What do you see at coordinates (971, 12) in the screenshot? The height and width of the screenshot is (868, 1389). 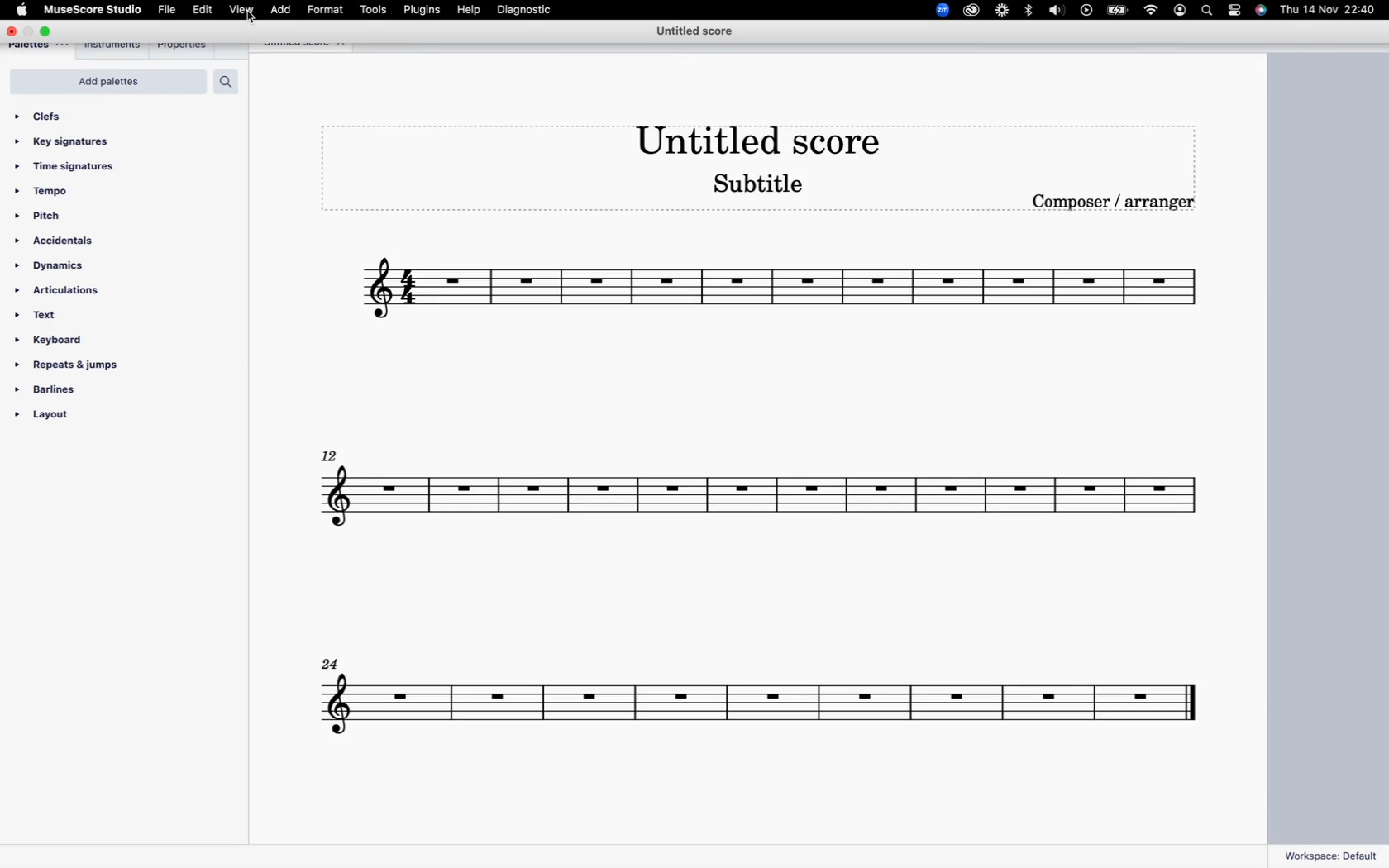 I see `creative cloud` at bounding box center [971, 12].